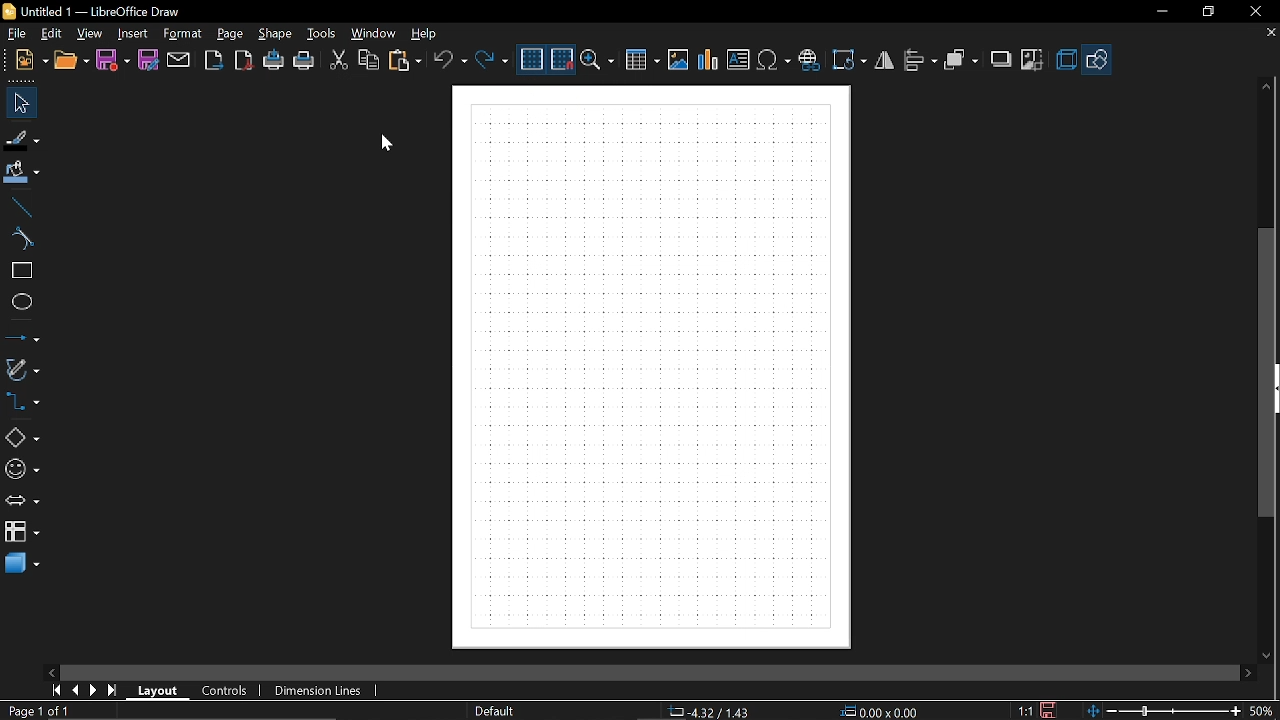 The width and height of the screenshot is (1280, 720). Describe the element at coordinates (50, 670) in the screenshot. I see `Move left` at that location.